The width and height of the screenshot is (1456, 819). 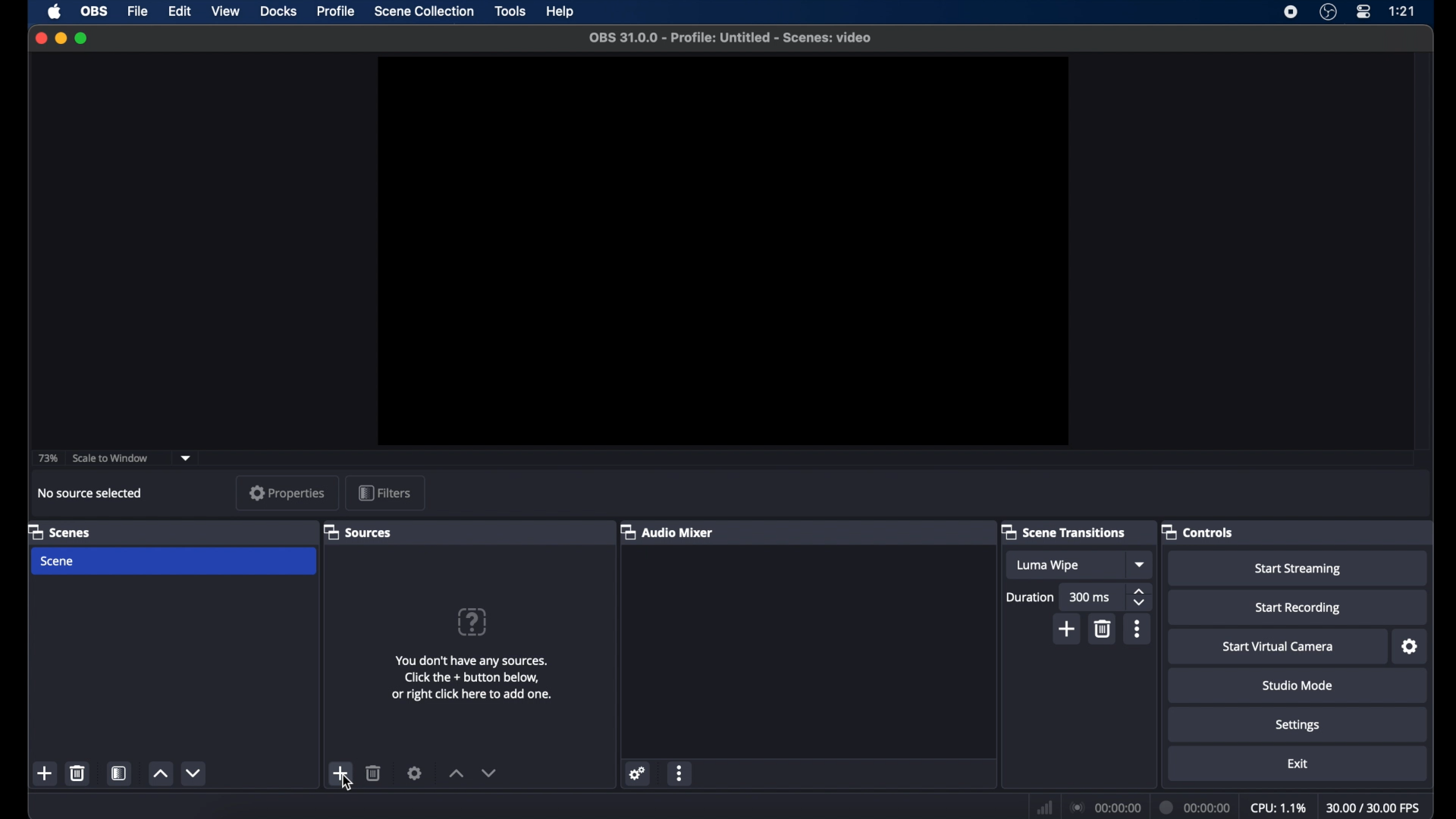 What do you see at coordinates (337, 11) in the screenshot?
I see `profile` at bounding box center [337, 11].